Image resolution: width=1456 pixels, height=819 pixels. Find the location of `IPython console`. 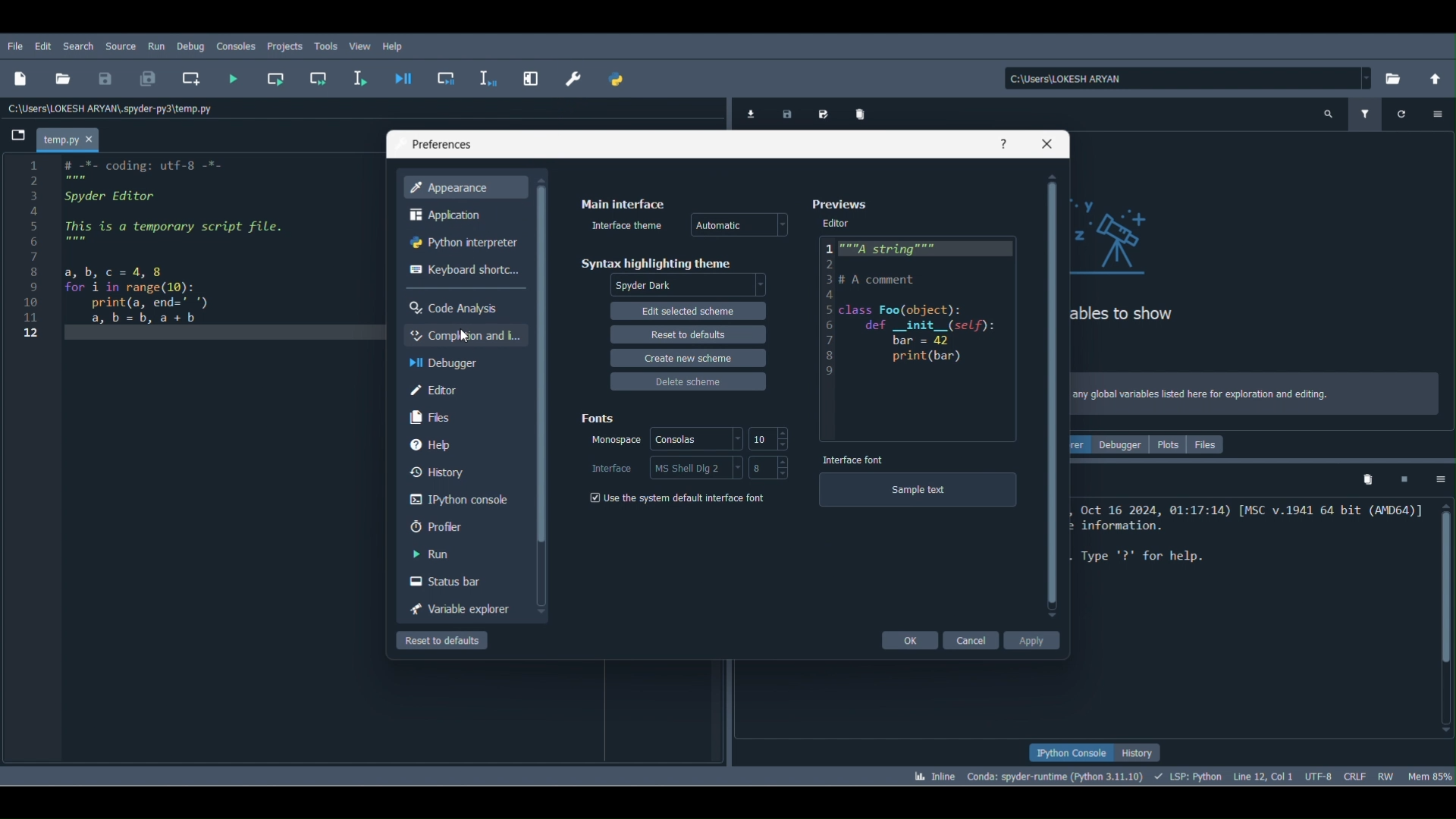

IPython console is located at coordinates (458, 500).